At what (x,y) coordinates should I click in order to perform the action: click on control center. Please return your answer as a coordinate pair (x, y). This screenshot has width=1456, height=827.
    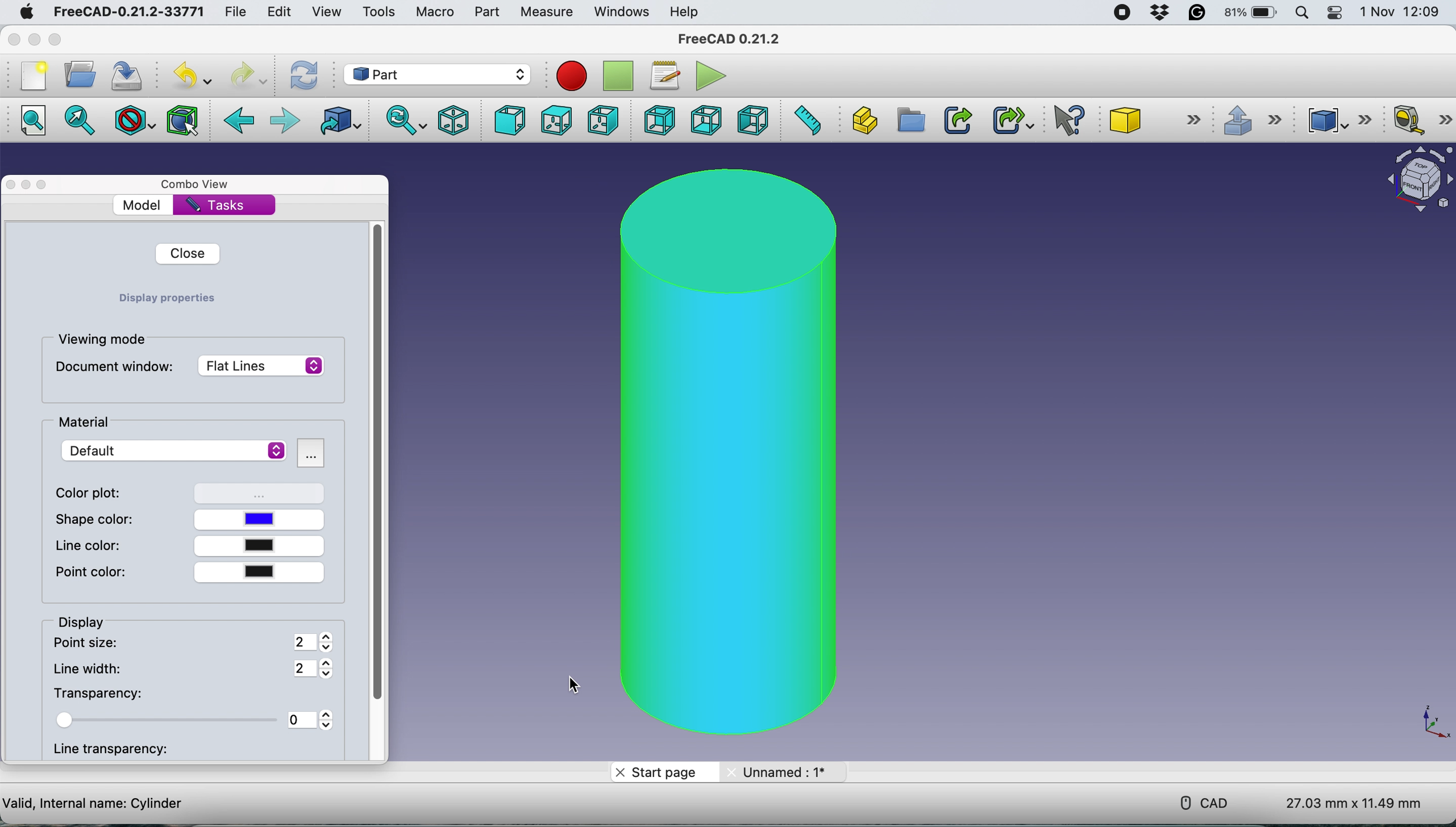
    Looking at the image, I should click on (1337, 15).